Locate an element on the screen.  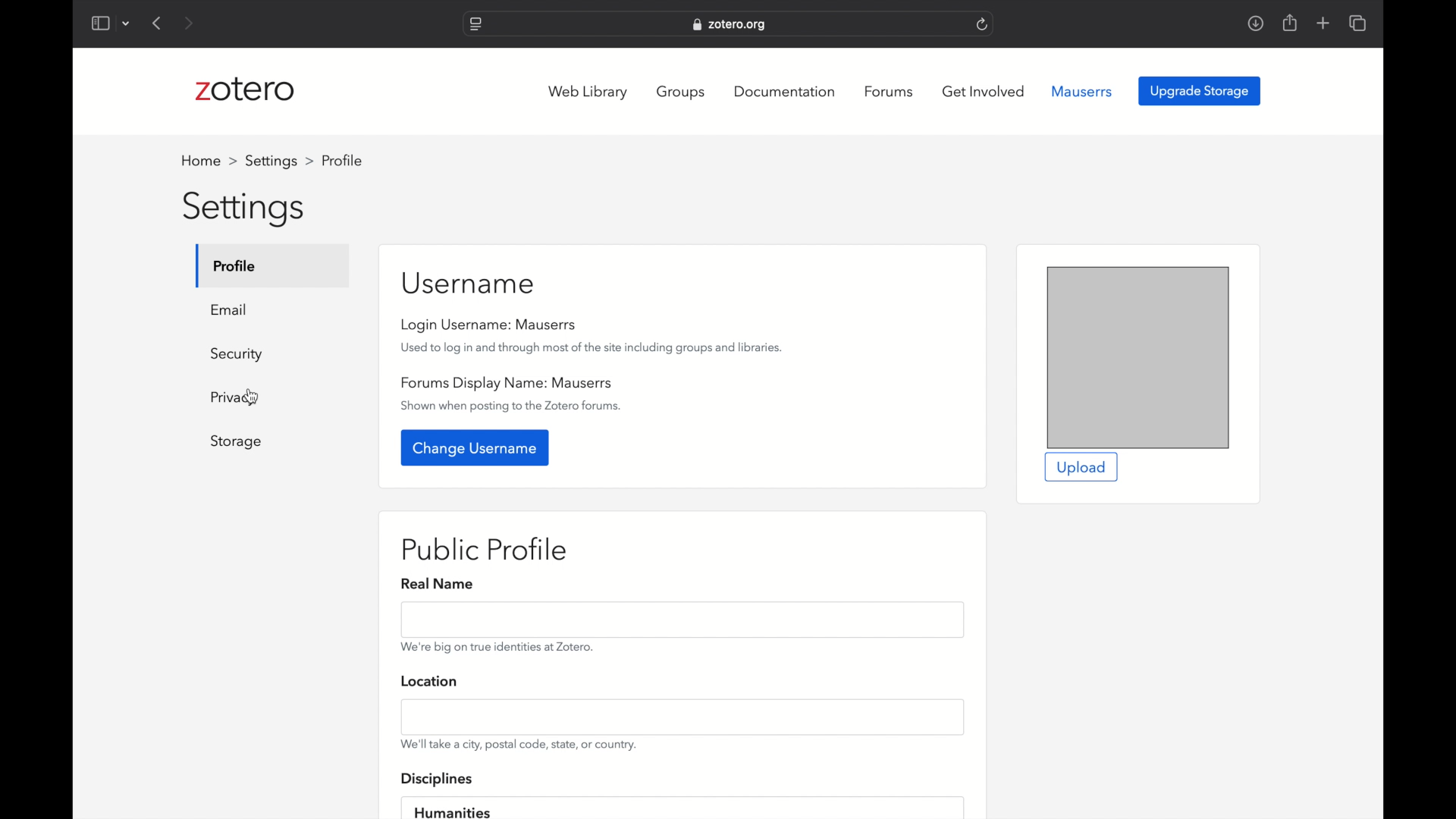
refresh is located at coordinates (982, 25).